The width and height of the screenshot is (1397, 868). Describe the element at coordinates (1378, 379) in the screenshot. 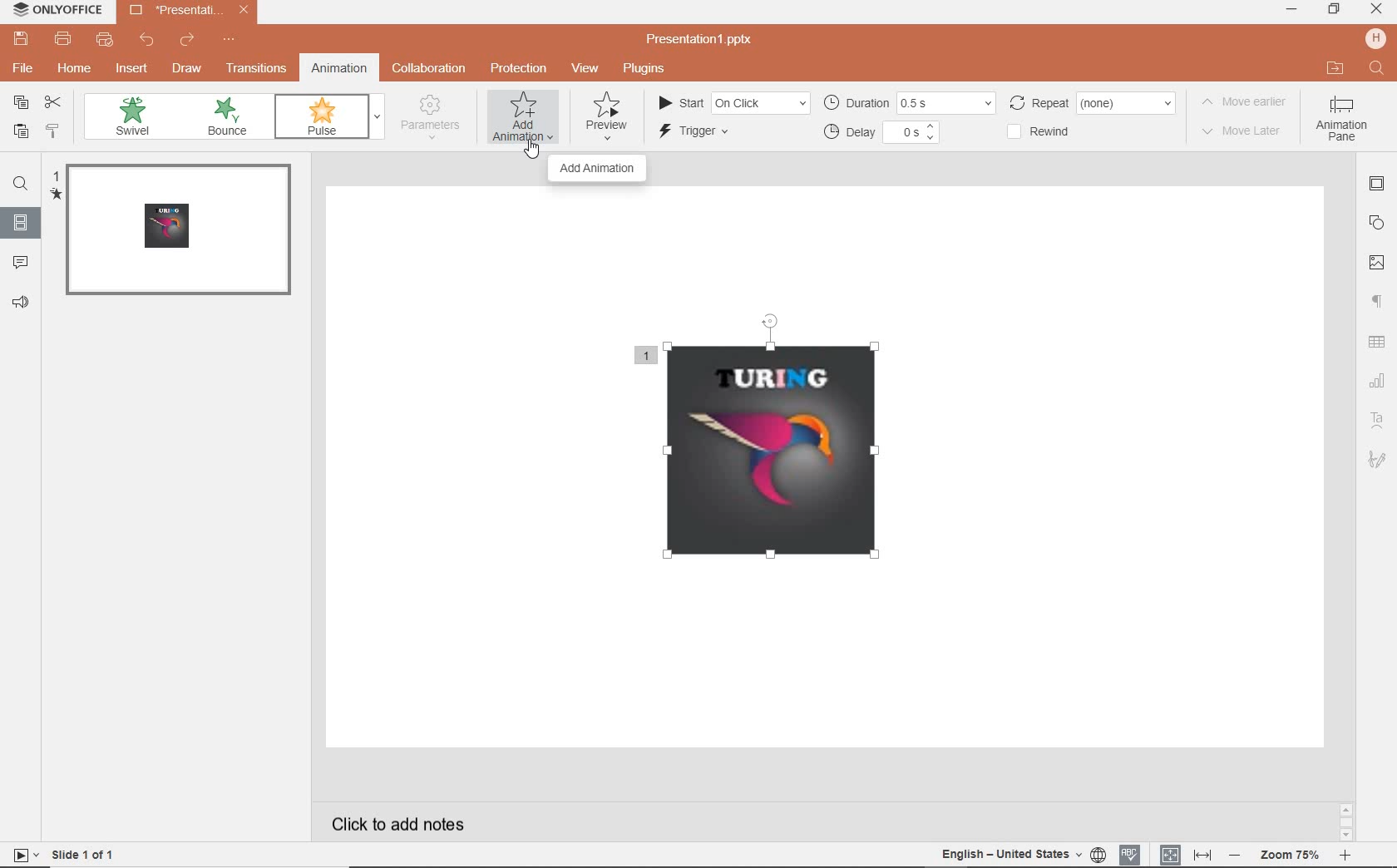

I see `chart` at that location.